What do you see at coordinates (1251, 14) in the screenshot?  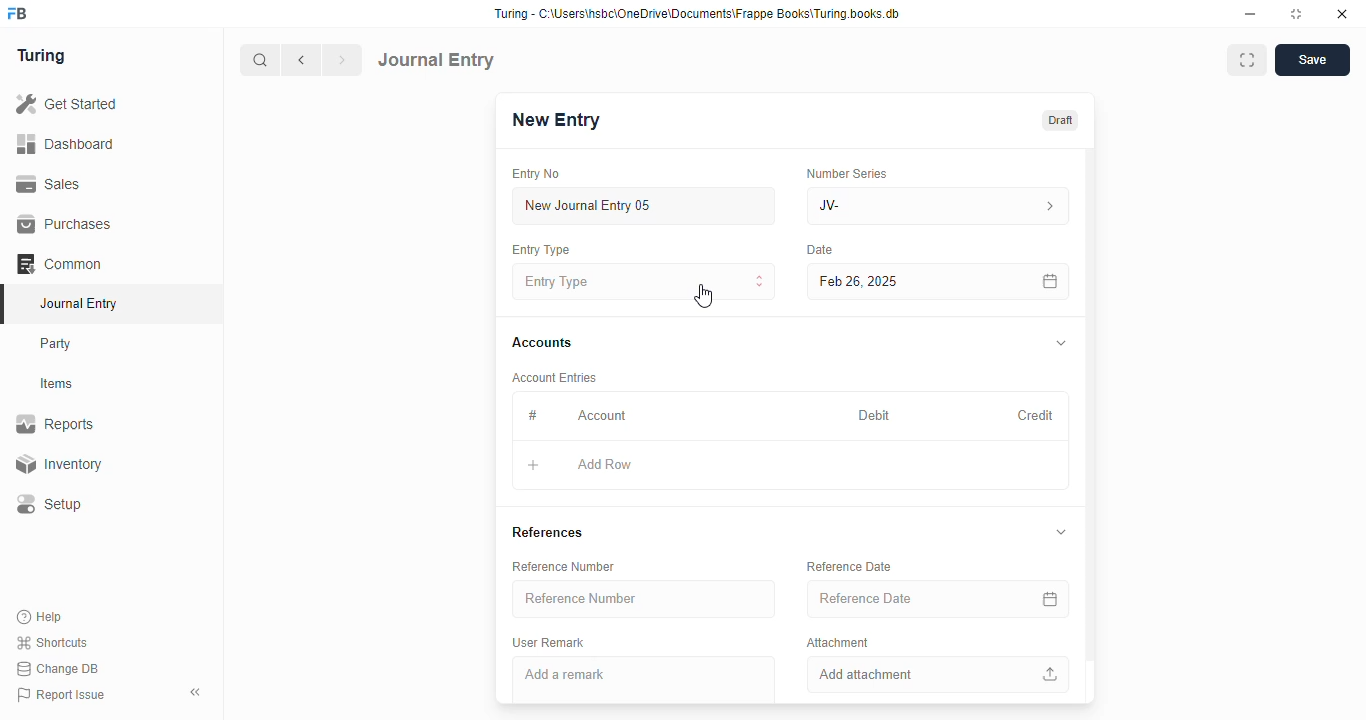 I see `minimize` at bounding box center [1251, 14].